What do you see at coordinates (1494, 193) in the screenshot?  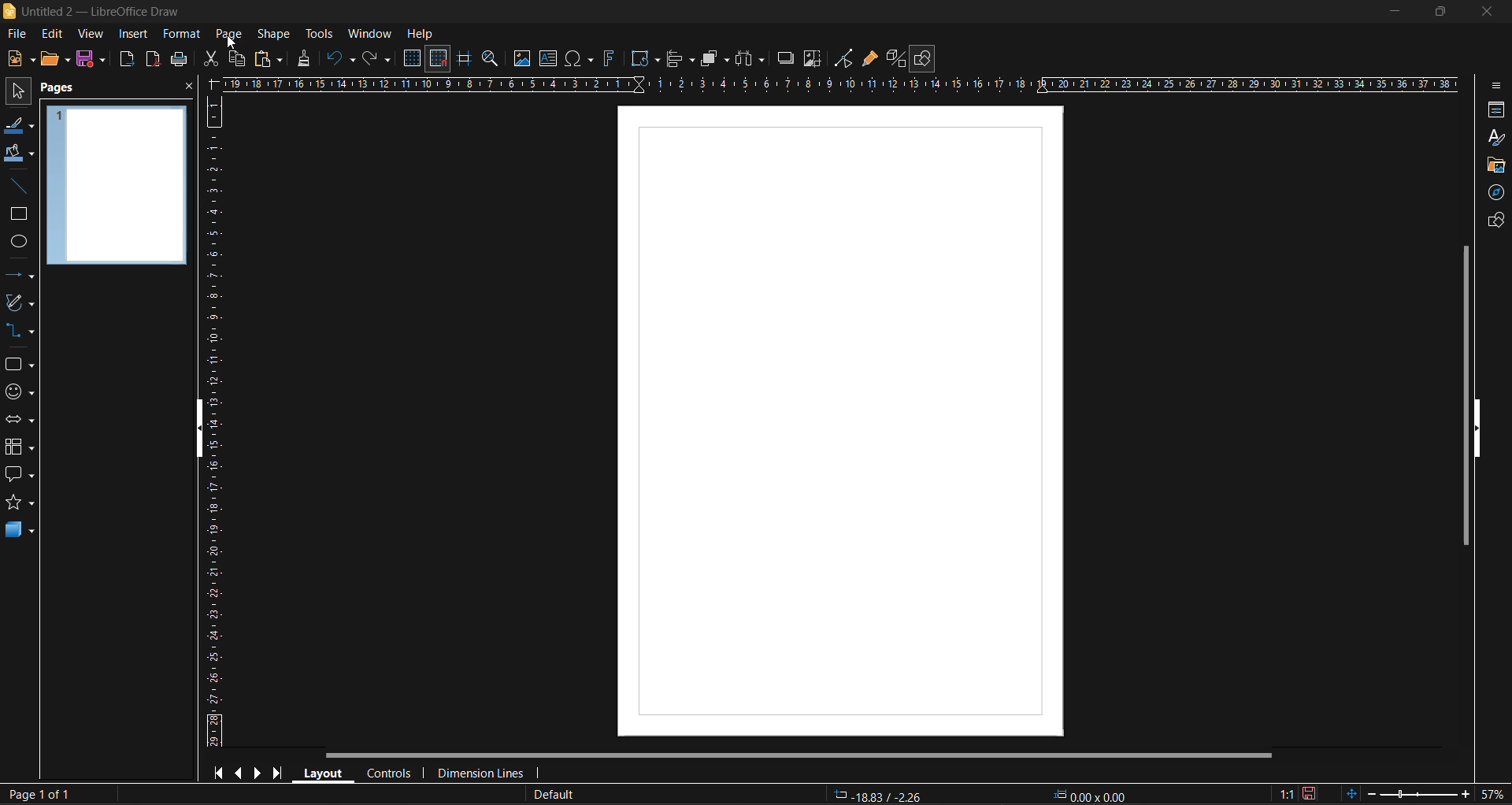 I see `navigator` at bounding box center [1494, 193].